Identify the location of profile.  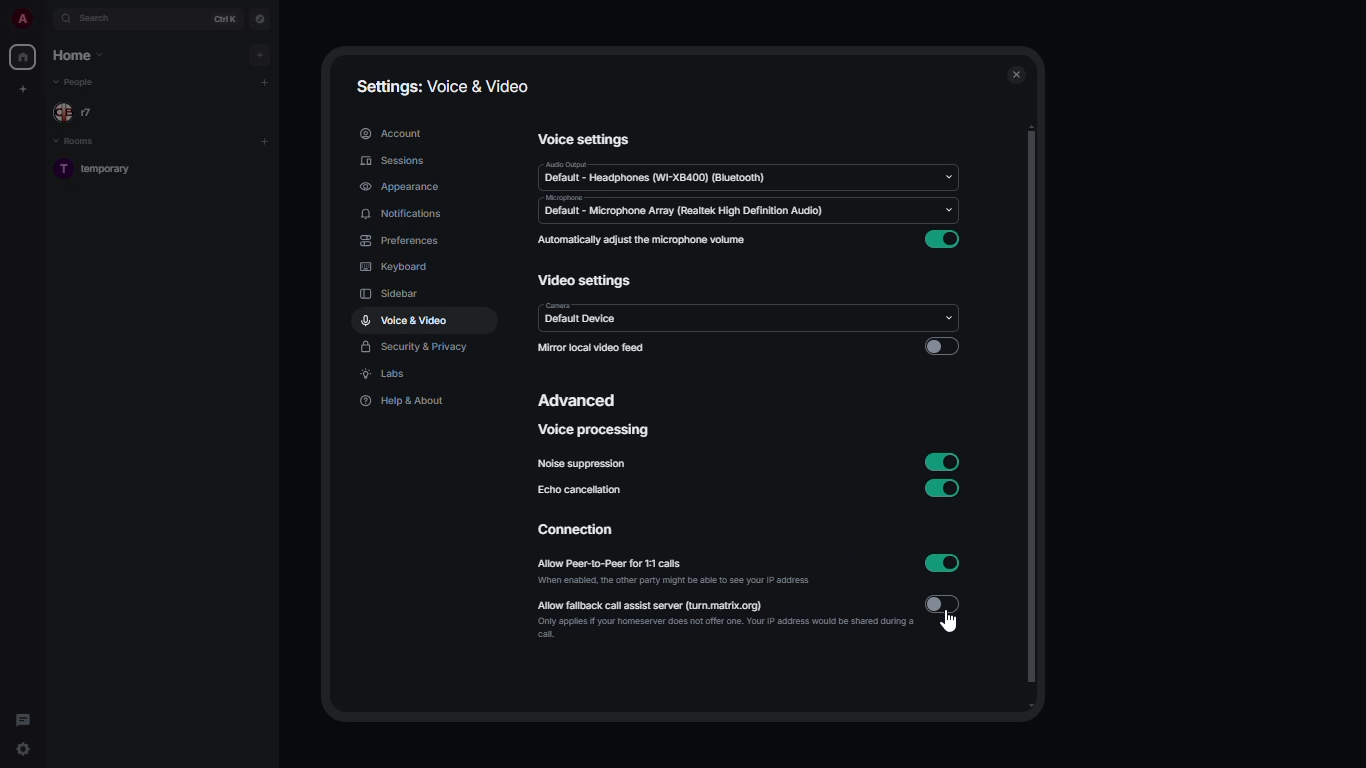
(22, 19).